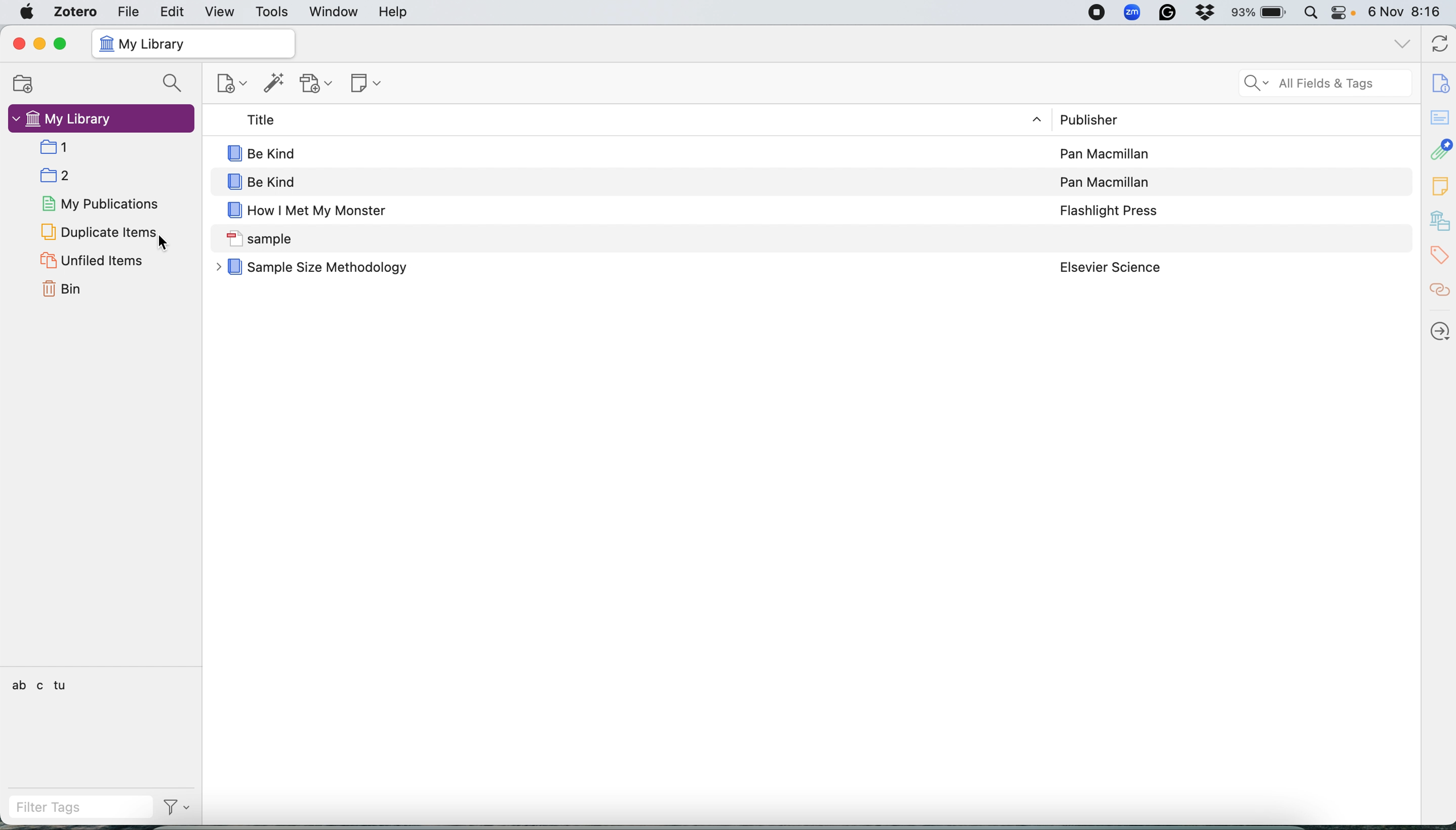  I want to click on cursor, so click(166, 246).